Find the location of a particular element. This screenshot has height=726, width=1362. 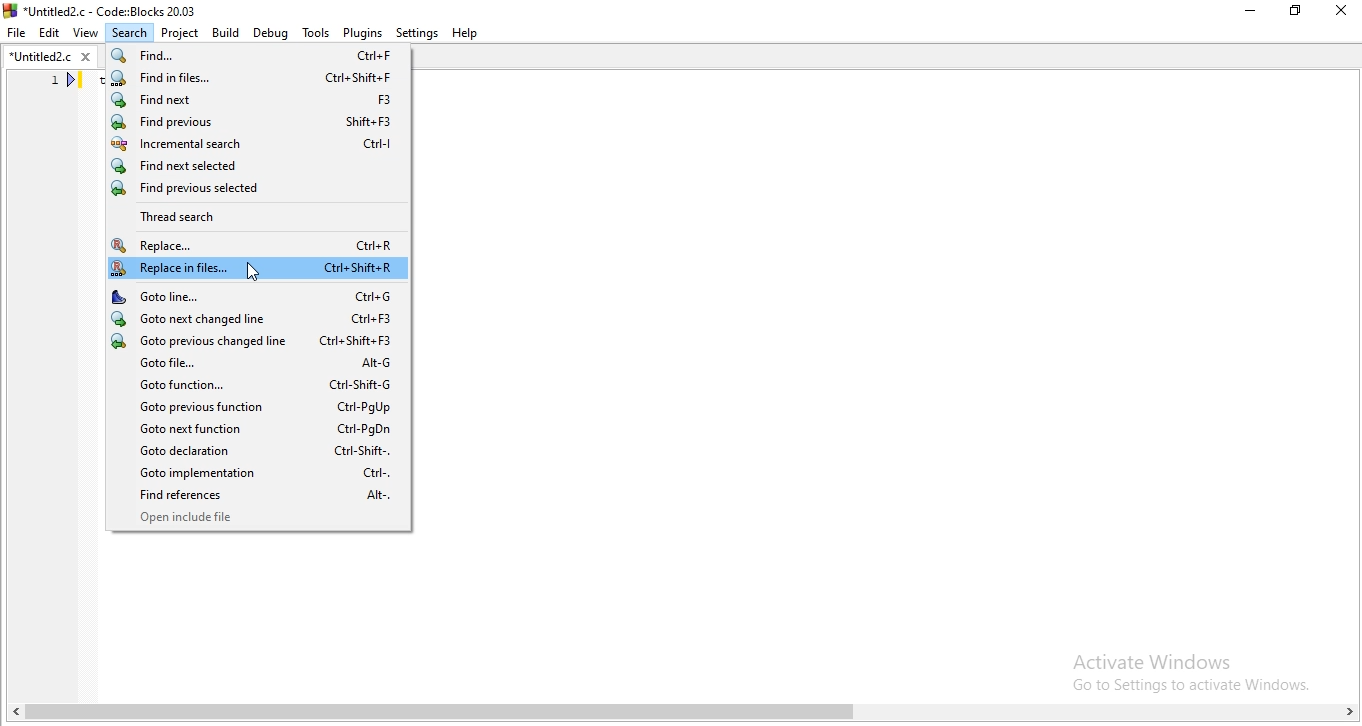

Build  is located at coordinates (225, 32).